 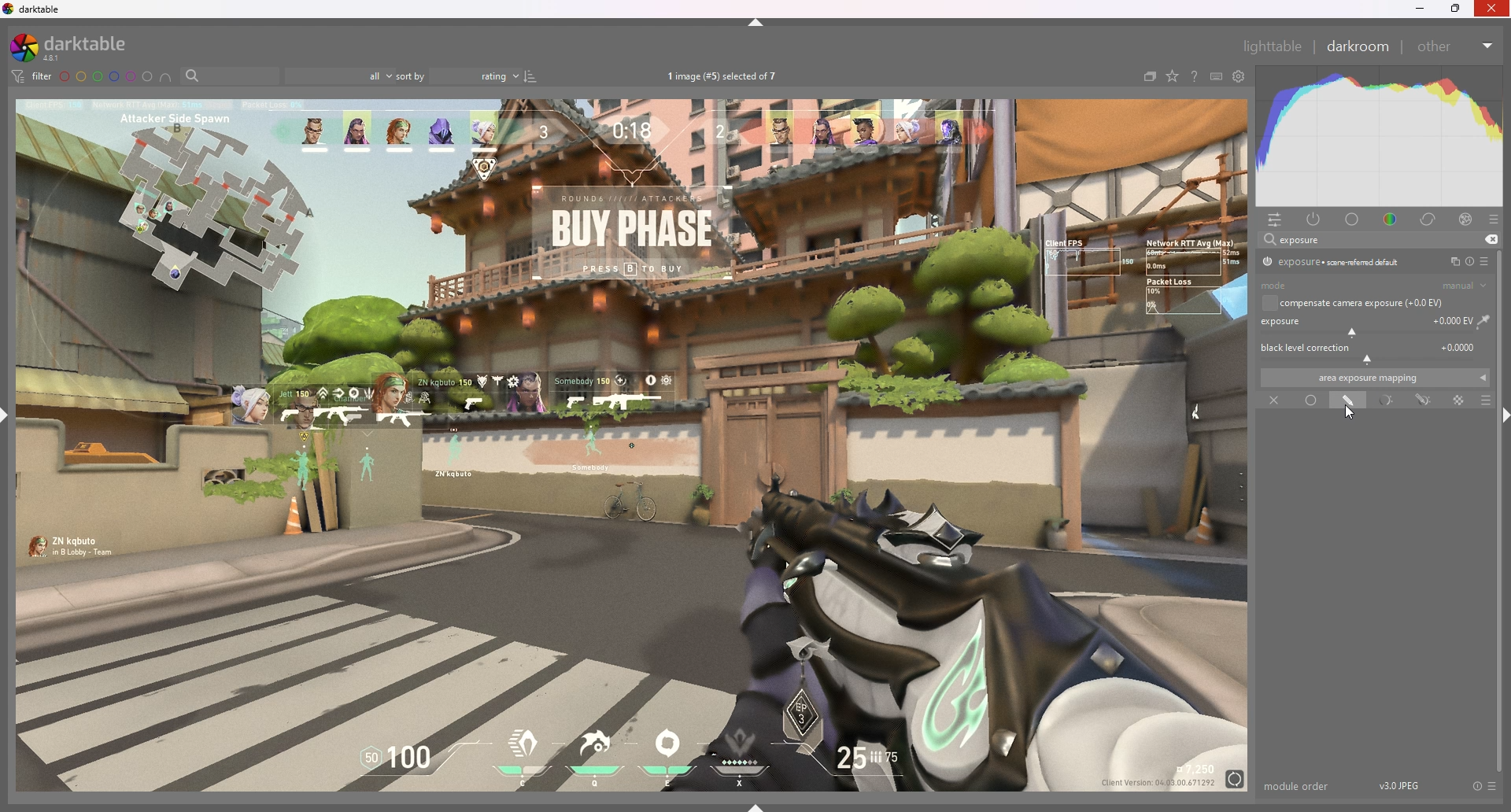 I want to click on reset, so click(x=1469, y=261).